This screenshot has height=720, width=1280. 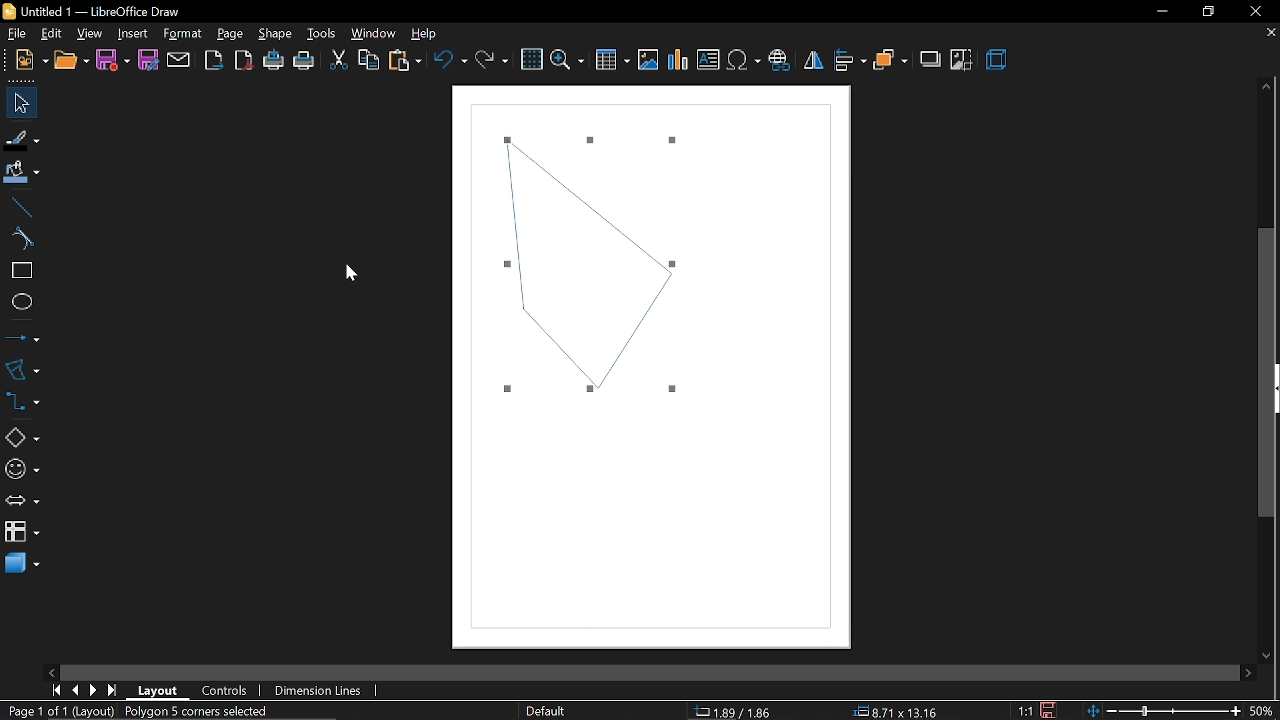 I want to click on move left, so click(x=51, y=671).